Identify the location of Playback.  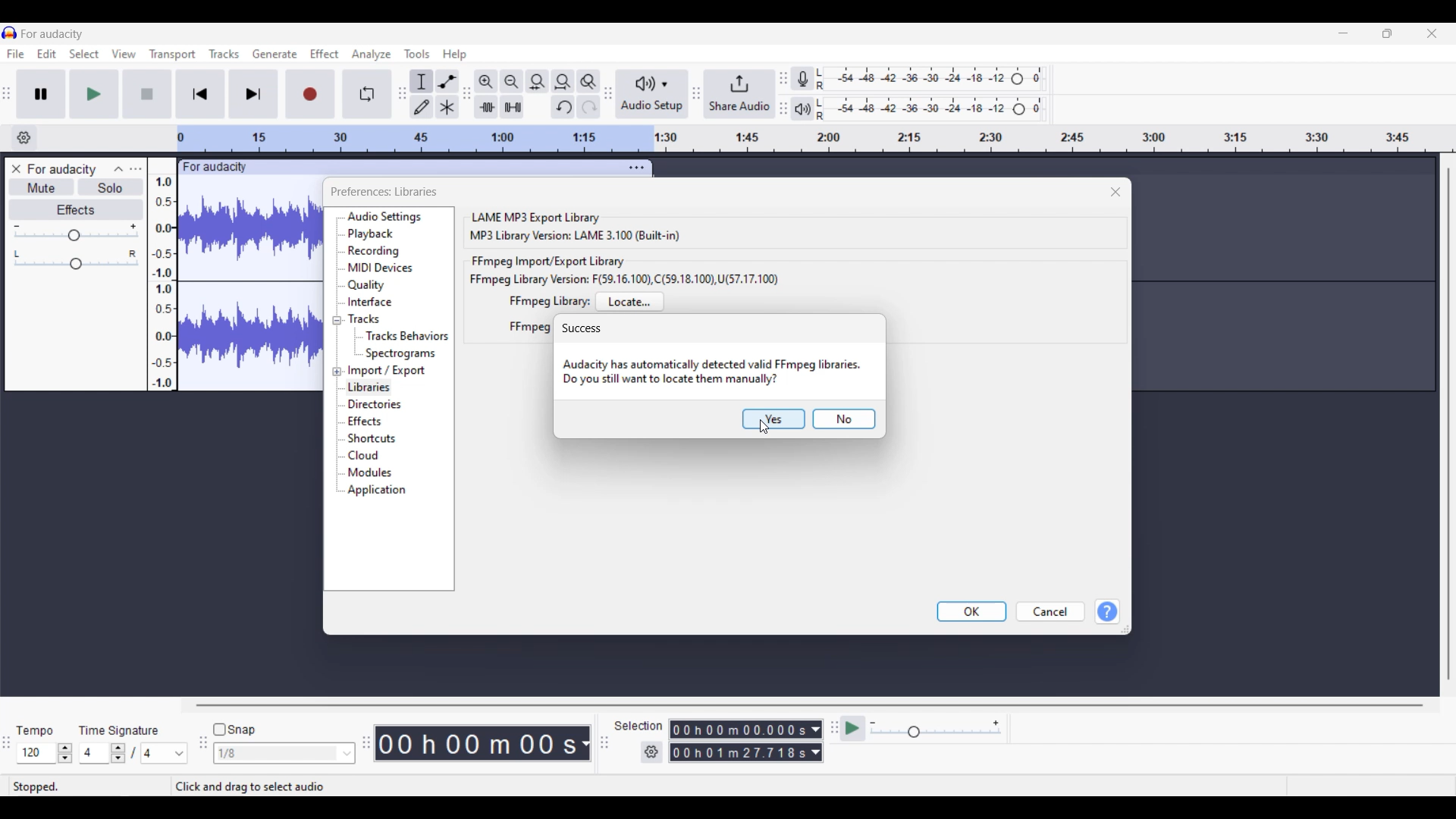
(377, 234).